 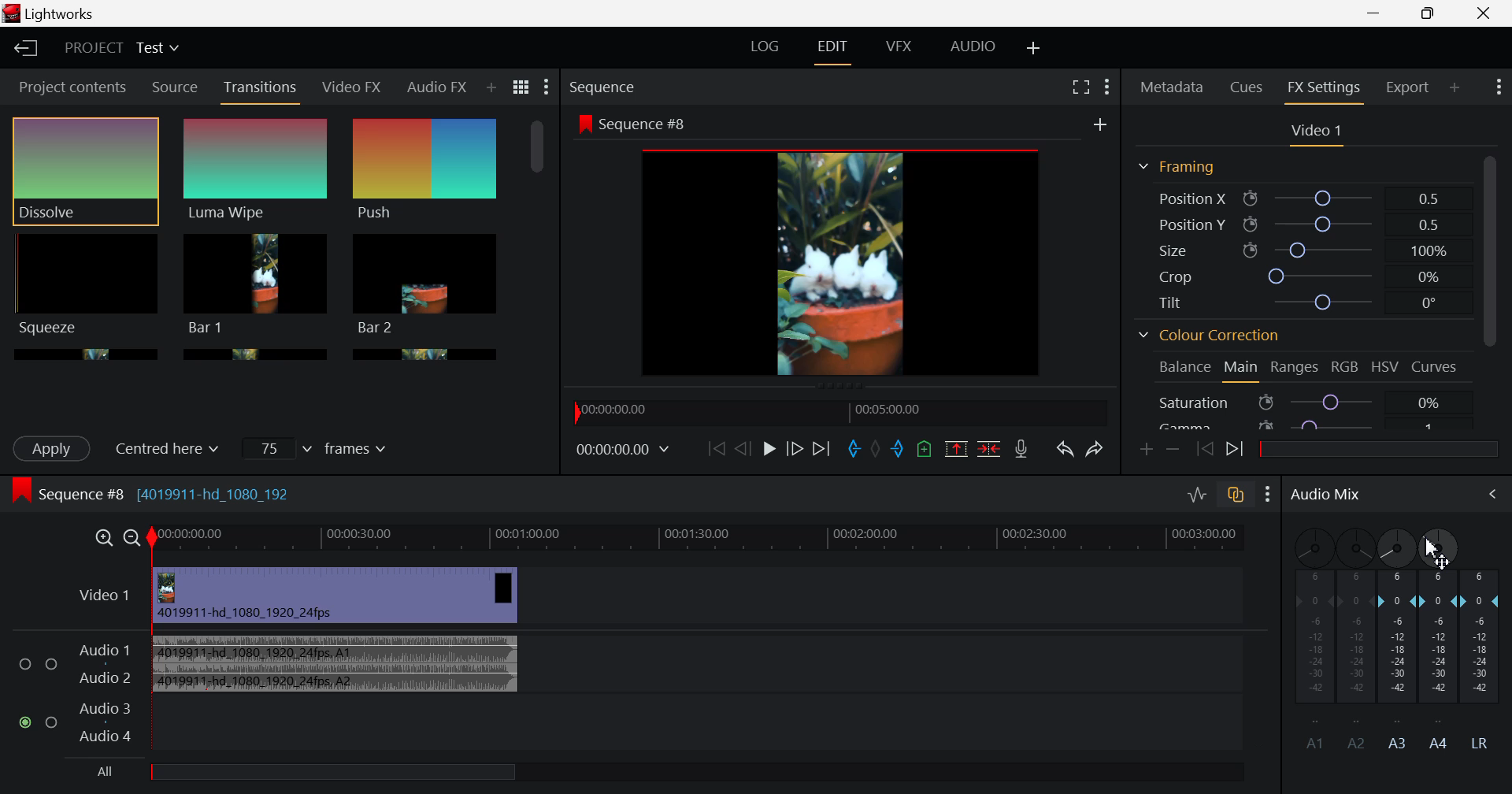 What do you see at coordinates (766, 46) in the screenshot?
I see `LOG Layout` at bounding box center [766, 46].